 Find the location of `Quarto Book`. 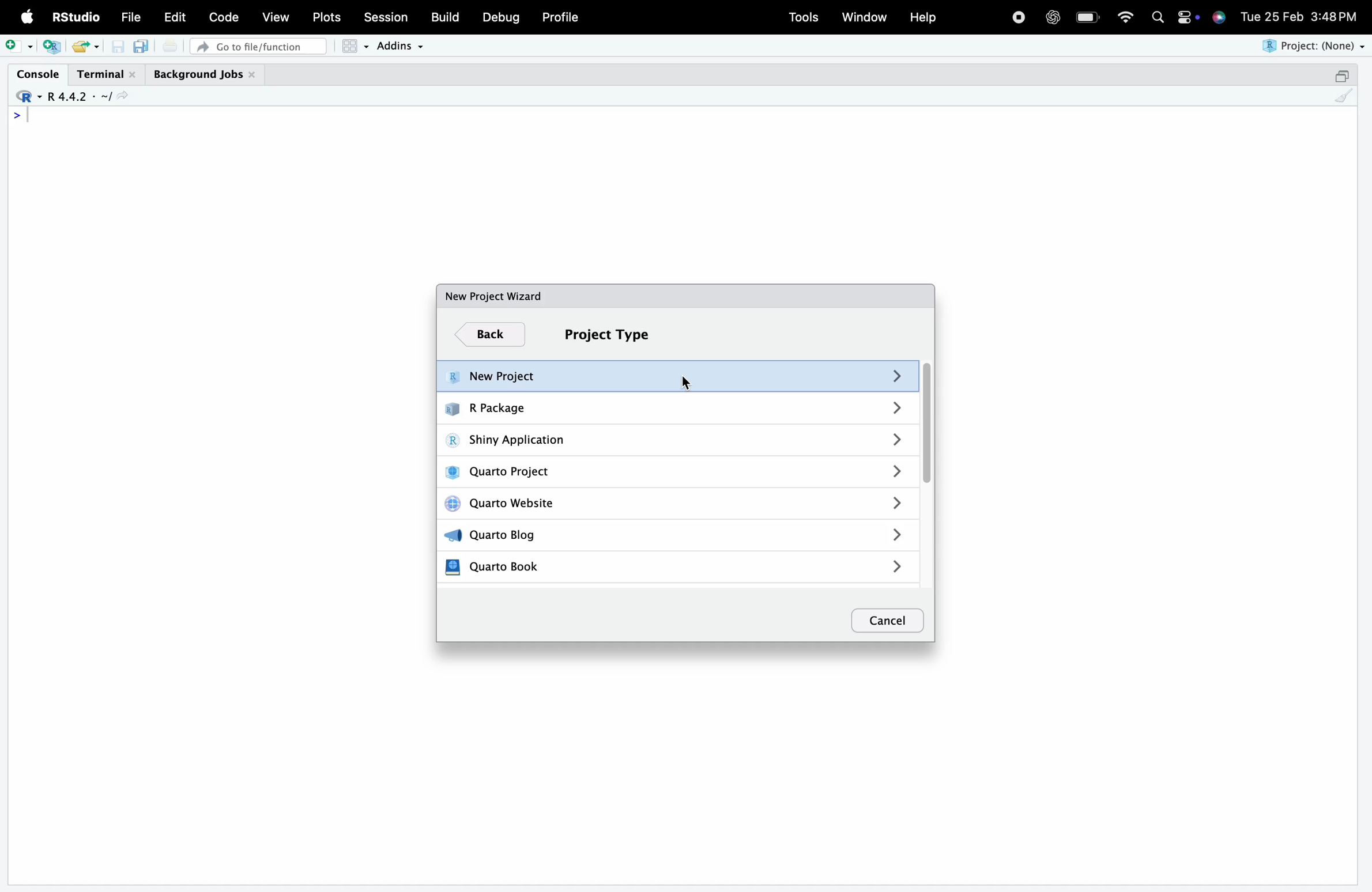

Quarto Book is located at coordinates (675, 569).